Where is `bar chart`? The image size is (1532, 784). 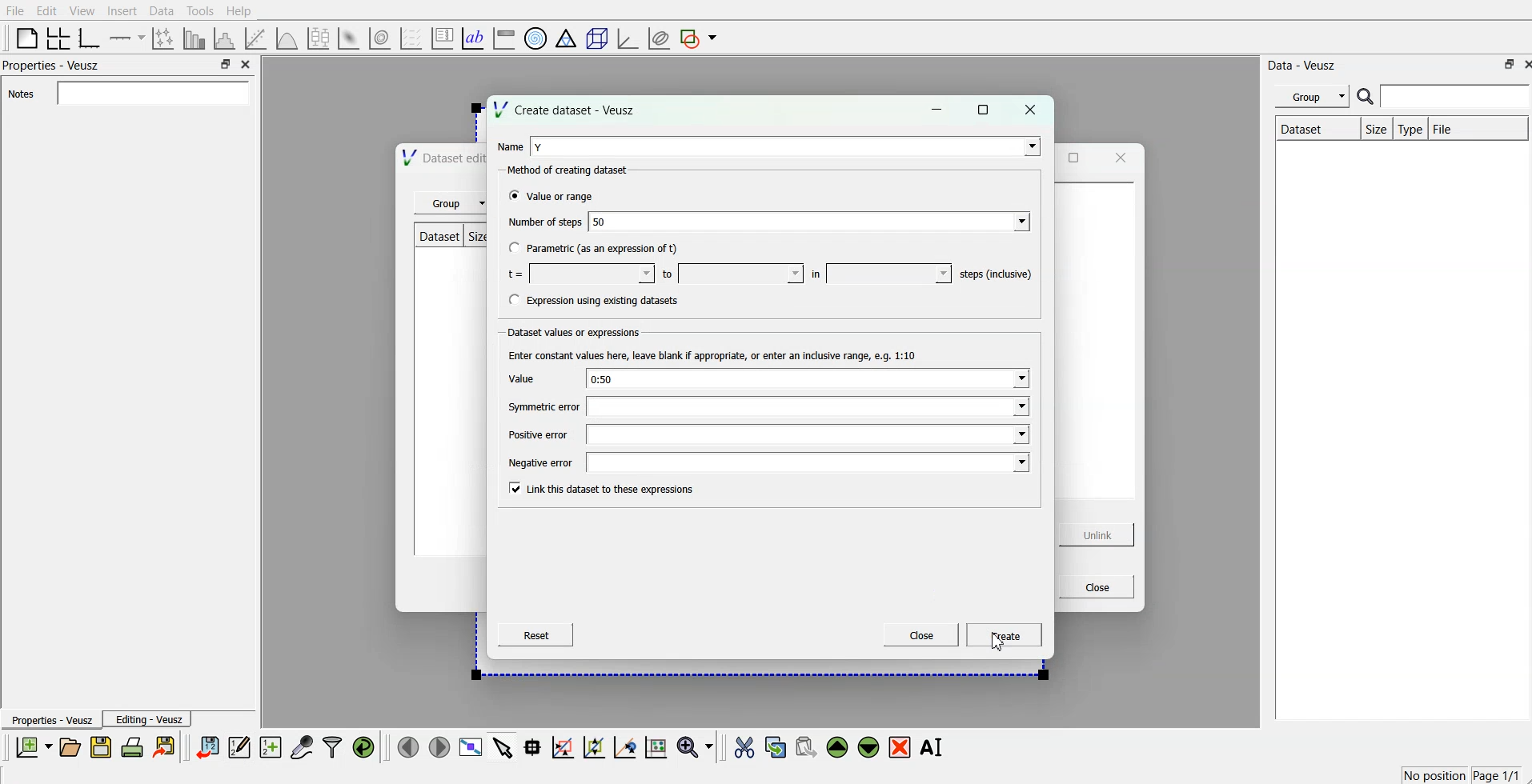 bar chart is located at coordinates (195, 37).